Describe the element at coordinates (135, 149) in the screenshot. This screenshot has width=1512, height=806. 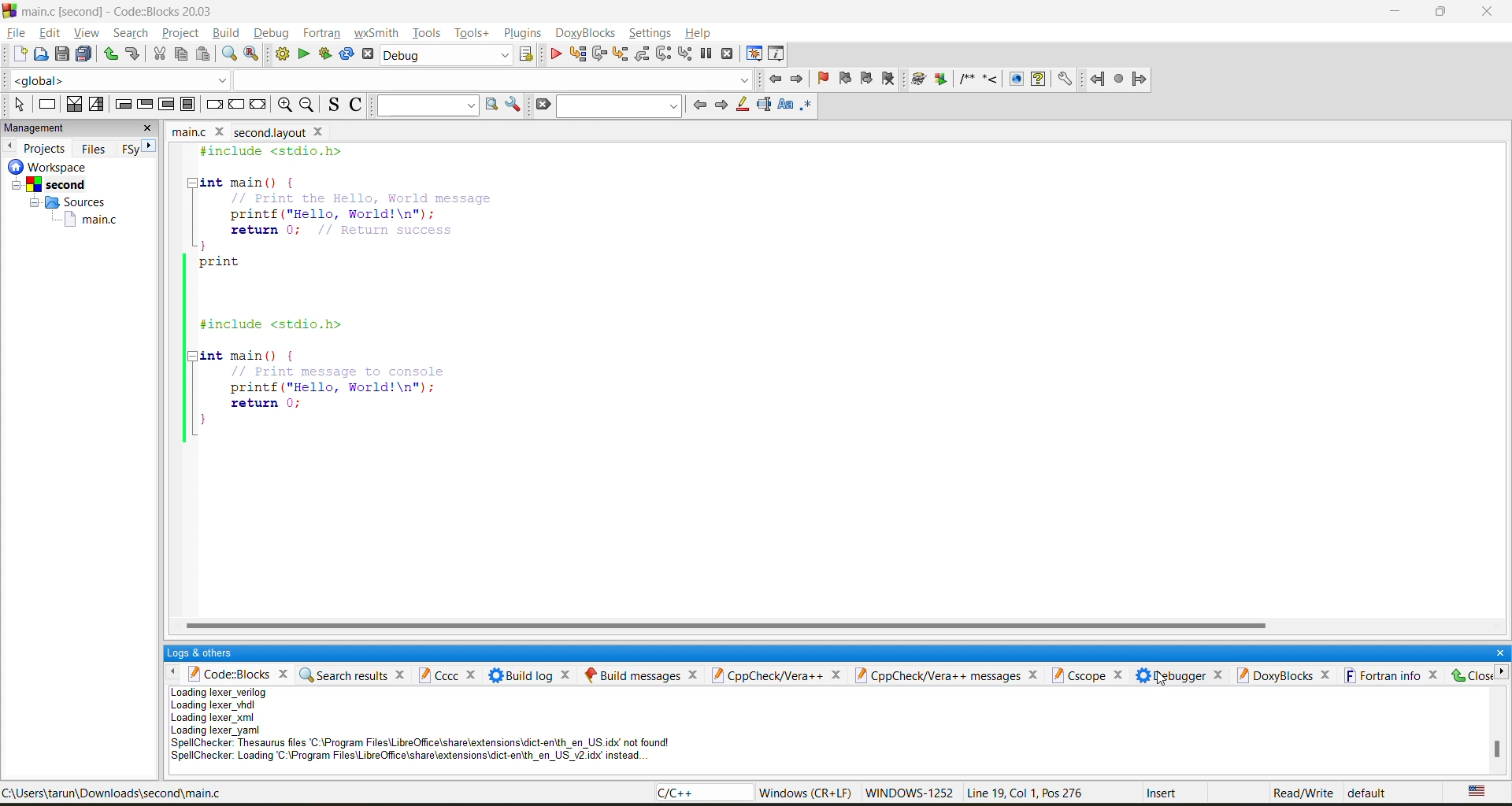
I see `FSy next` at that location.